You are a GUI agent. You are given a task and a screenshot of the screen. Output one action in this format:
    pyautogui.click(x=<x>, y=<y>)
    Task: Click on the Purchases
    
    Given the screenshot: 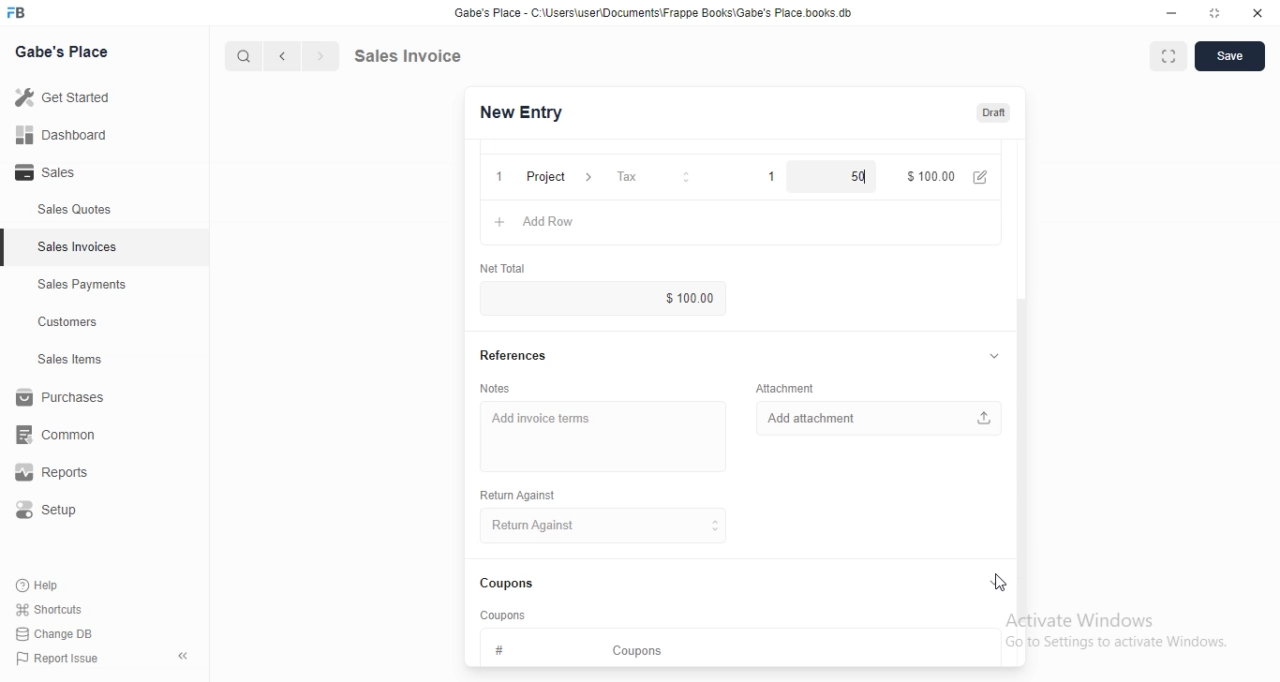 What is the action you would take?
    pyautogui.click(x=64, y=400)
    